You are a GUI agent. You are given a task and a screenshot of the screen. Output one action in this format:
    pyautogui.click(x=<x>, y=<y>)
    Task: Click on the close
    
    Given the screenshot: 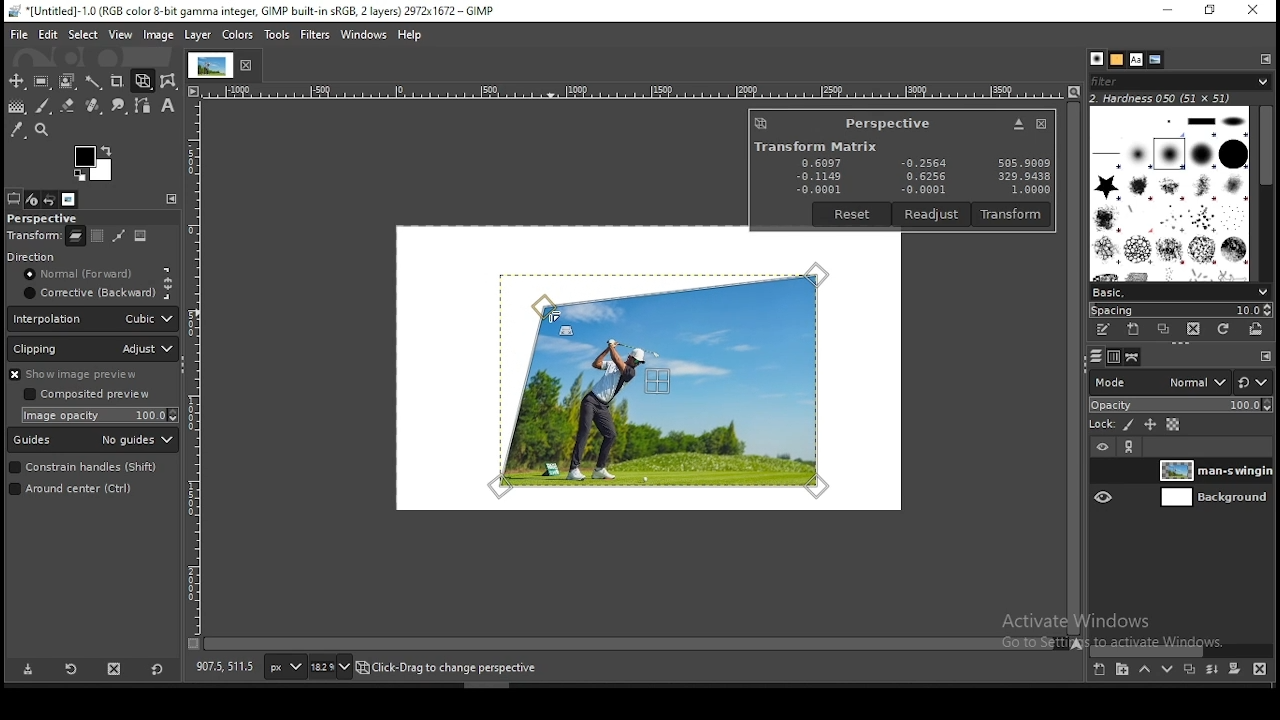 What is the action you would take?
    pyautogui.click(x=250, y=66)
    